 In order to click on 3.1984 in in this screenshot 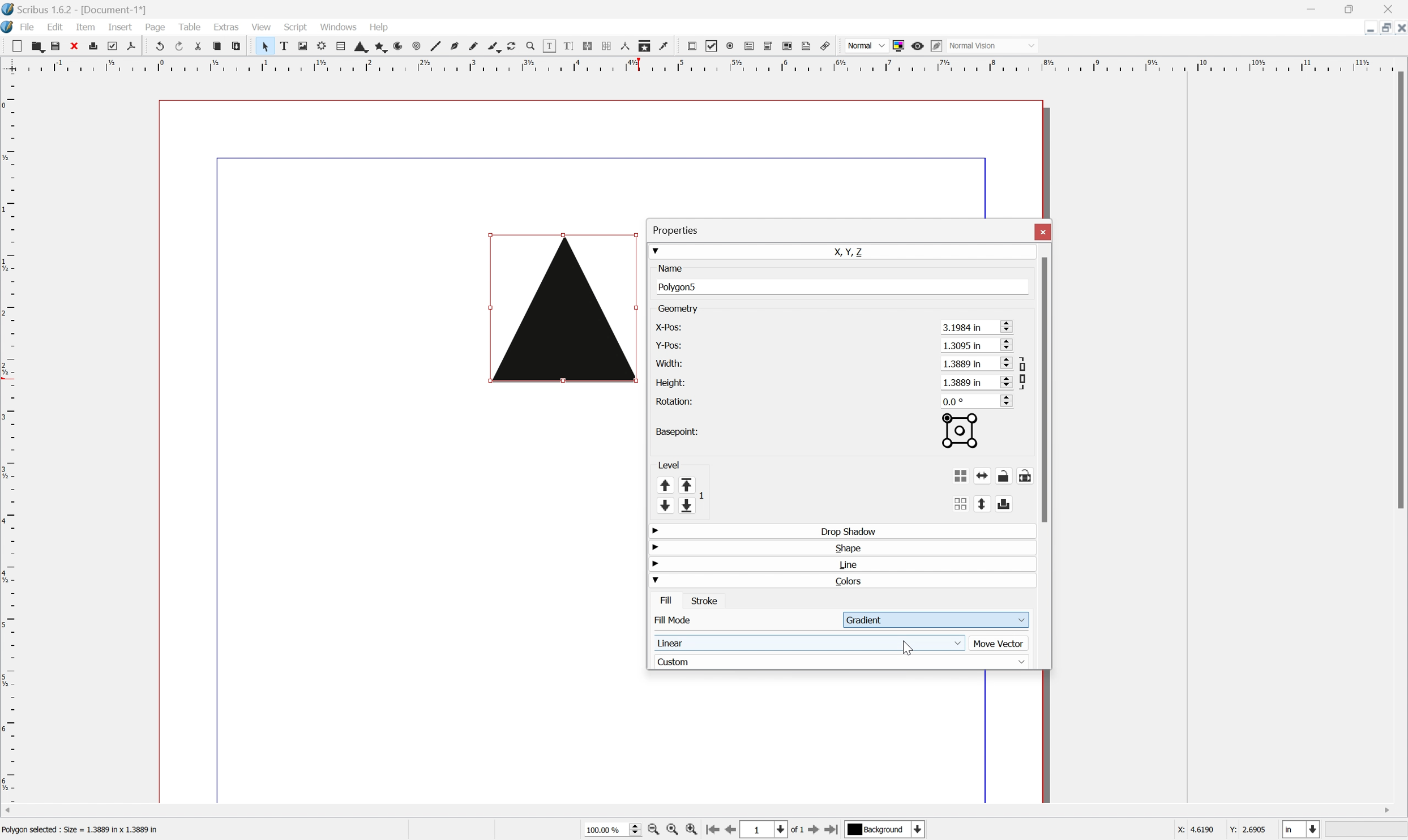, I will do `click(977, 327)`.